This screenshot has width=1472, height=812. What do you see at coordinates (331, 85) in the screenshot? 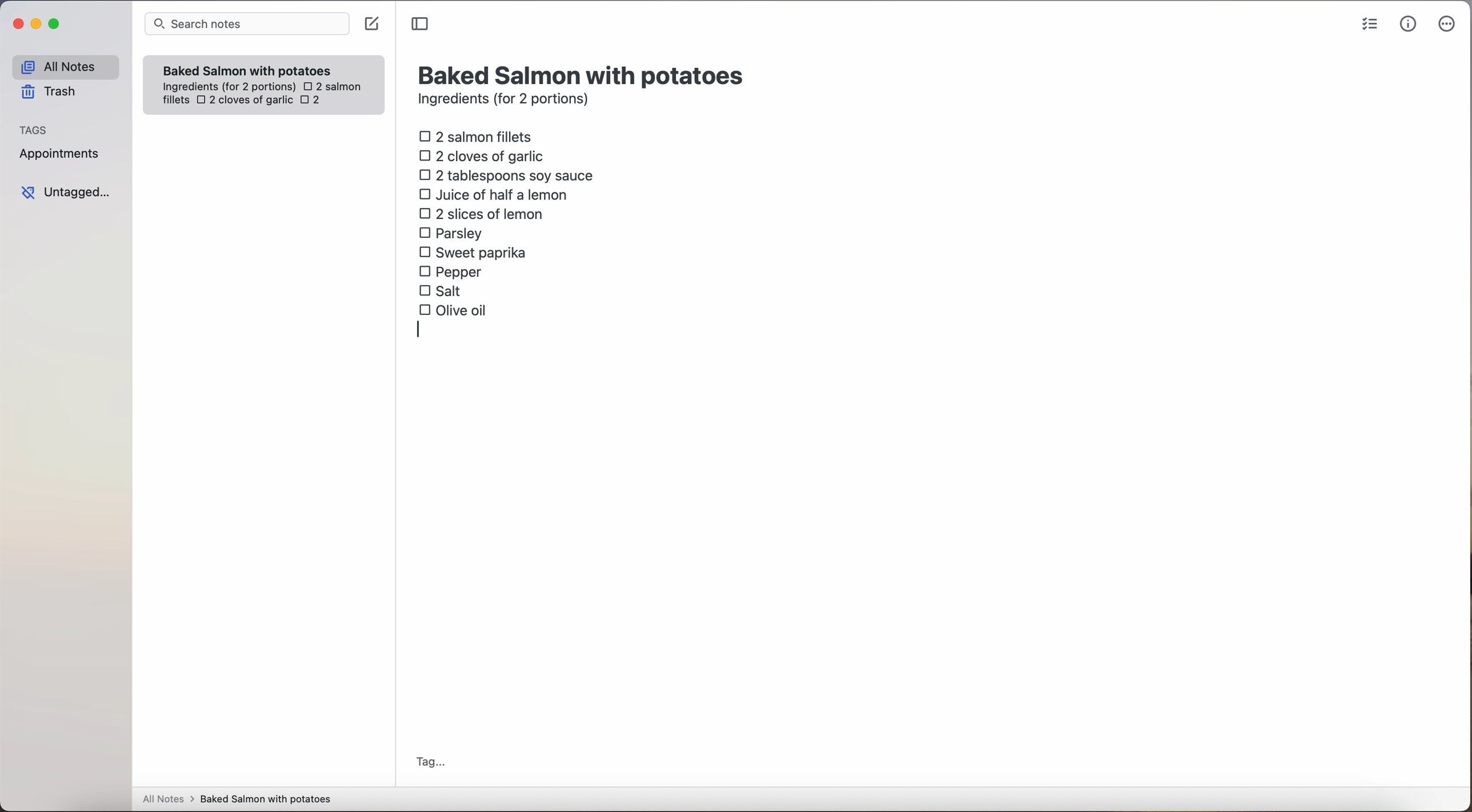
I see `2 salmon` at bounding box center [331, 85].